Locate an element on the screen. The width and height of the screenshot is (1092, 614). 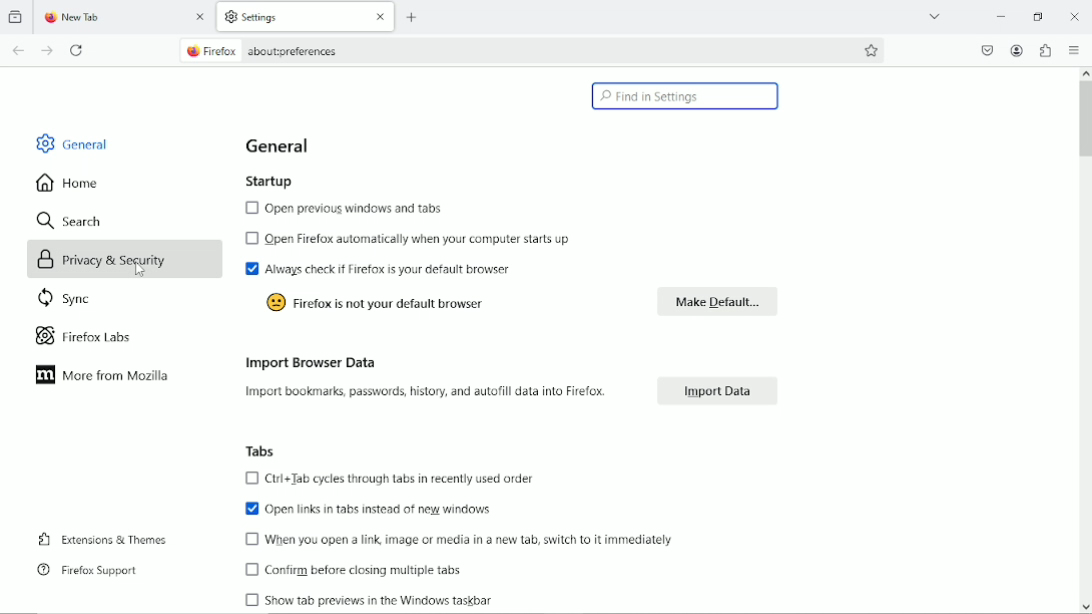
close is located at coordinates (378, 18).